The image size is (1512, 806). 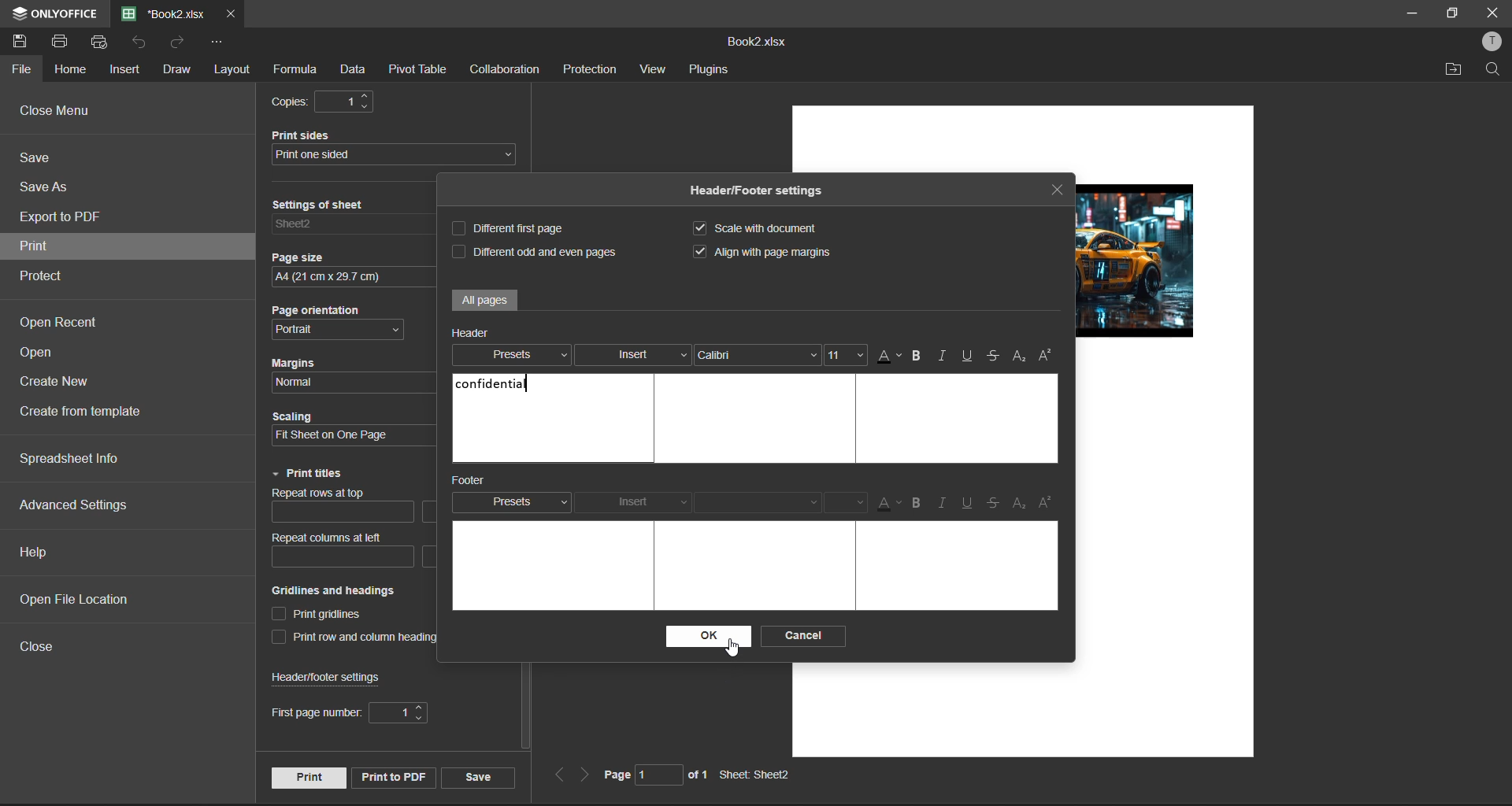 What do you see at coordinates (294, 71) in the screenshot?
I see `formula` at bounding box center [294, 71].